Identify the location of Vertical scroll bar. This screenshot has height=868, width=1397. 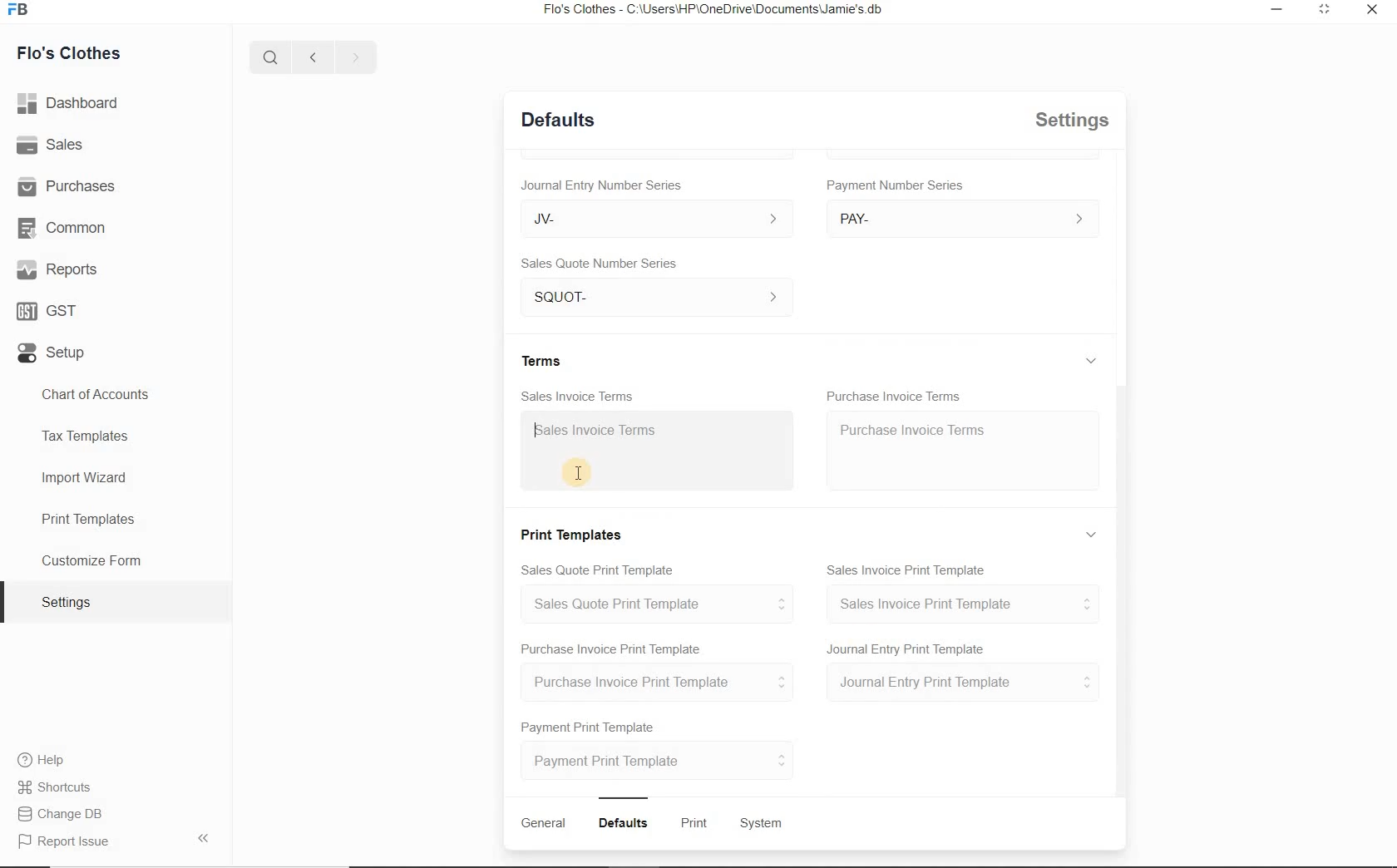
(1118, 591).